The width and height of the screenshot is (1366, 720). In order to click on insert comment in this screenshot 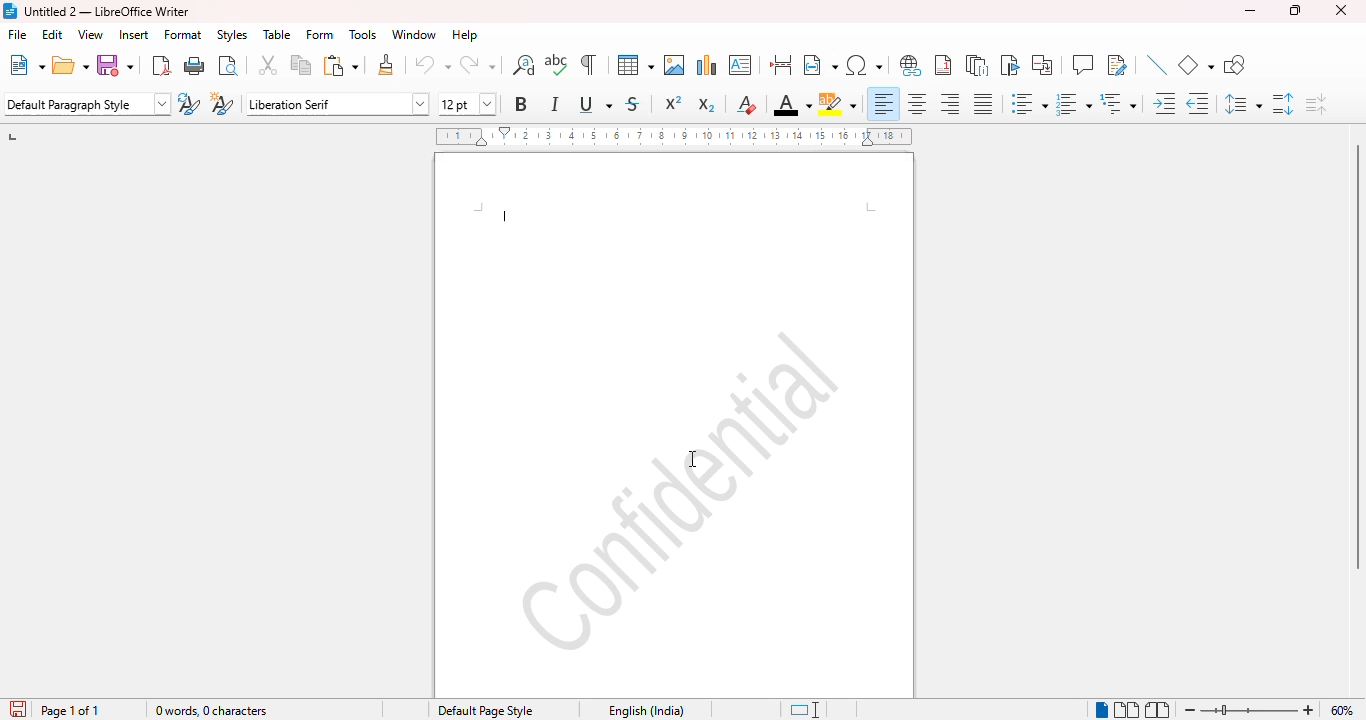, I will do `click(1083, 64)`.